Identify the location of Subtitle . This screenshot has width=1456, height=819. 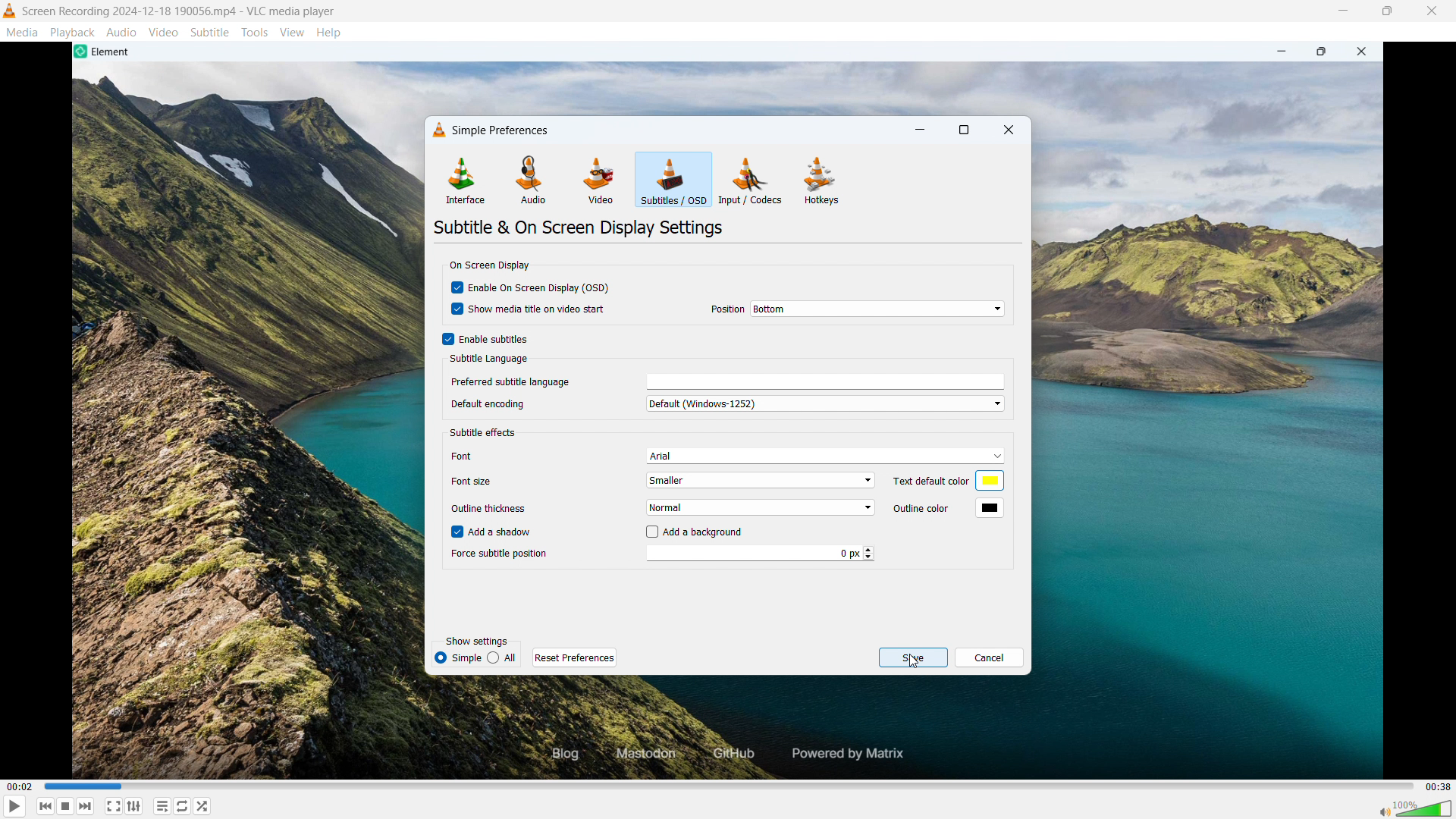
(210, 33).